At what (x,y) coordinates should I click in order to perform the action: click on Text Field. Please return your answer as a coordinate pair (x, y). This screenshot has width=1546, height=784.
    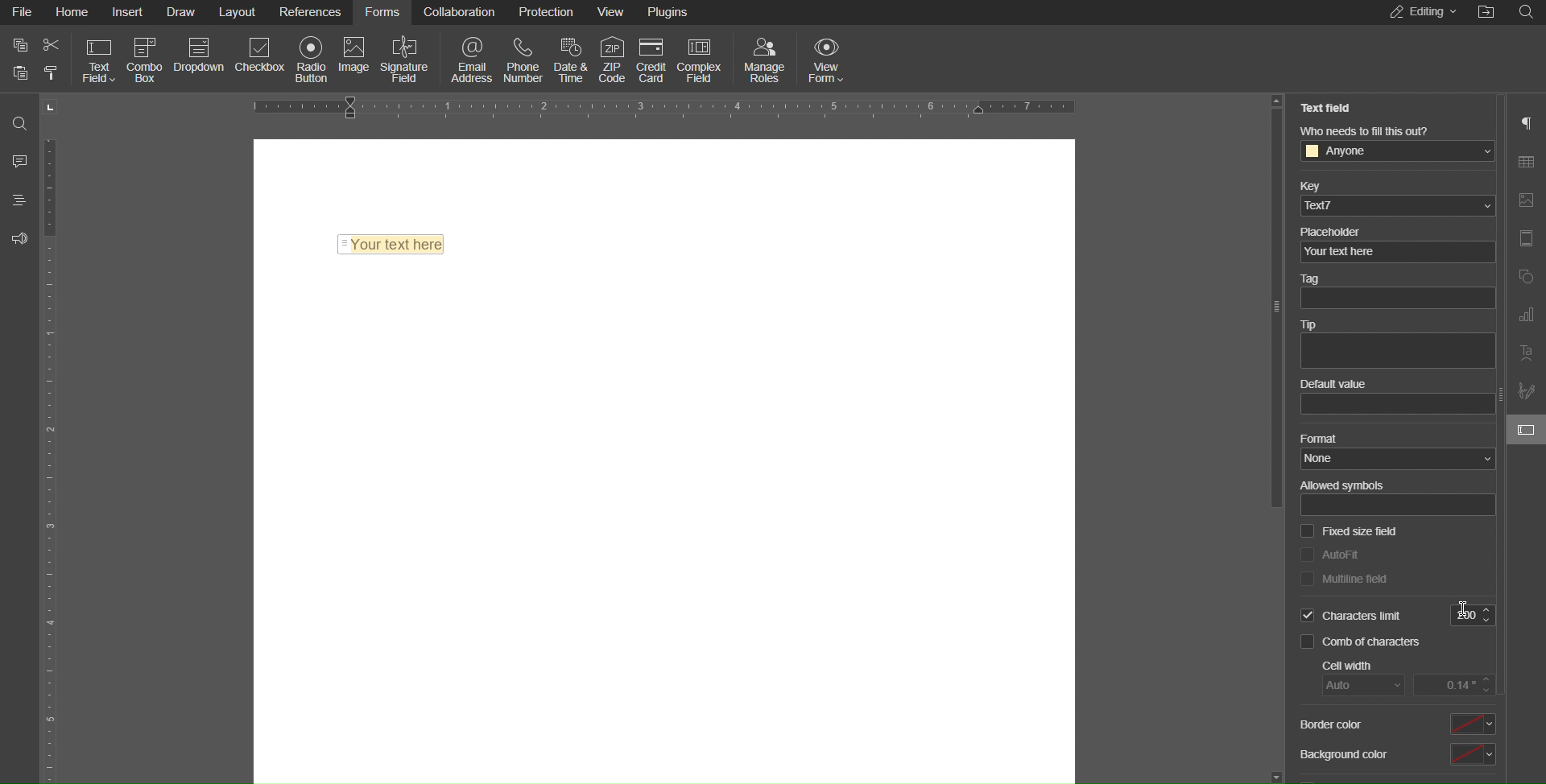
    Looking at the image, I should click on (1331, 108).